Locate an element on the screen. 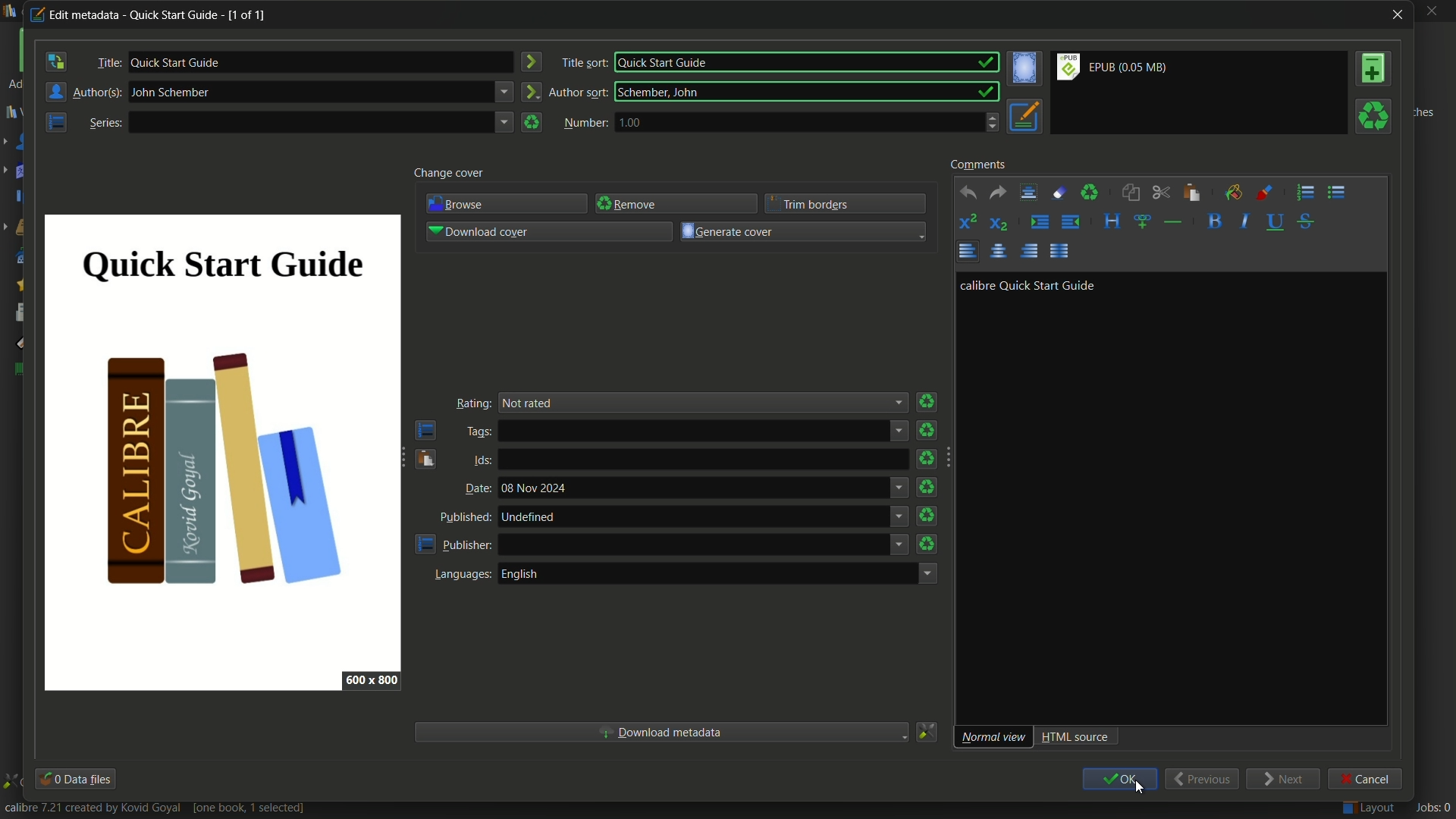  align right is located at coordinates (1031, 253).